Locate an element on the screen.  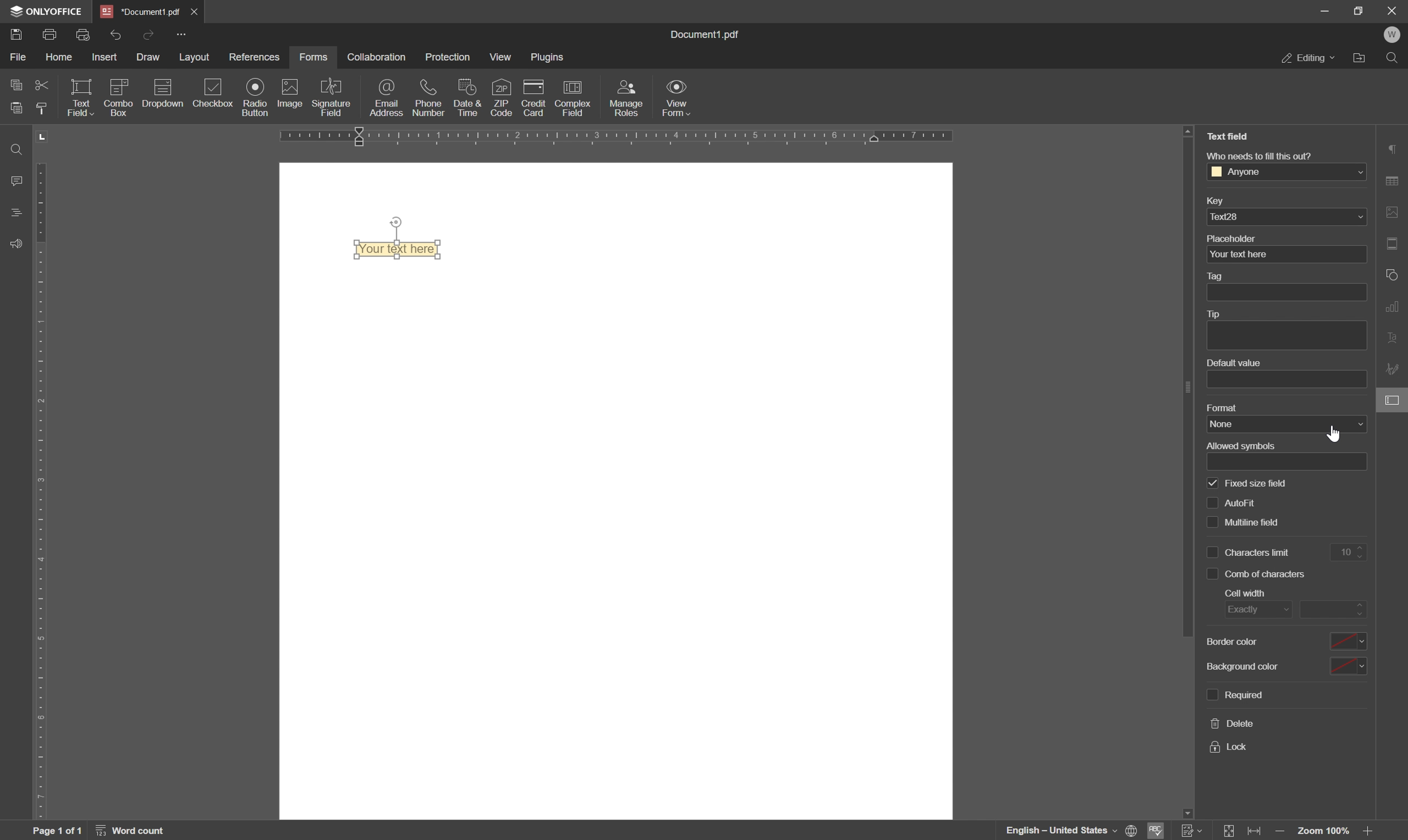
cursor is located at coordinates (1334, 434).